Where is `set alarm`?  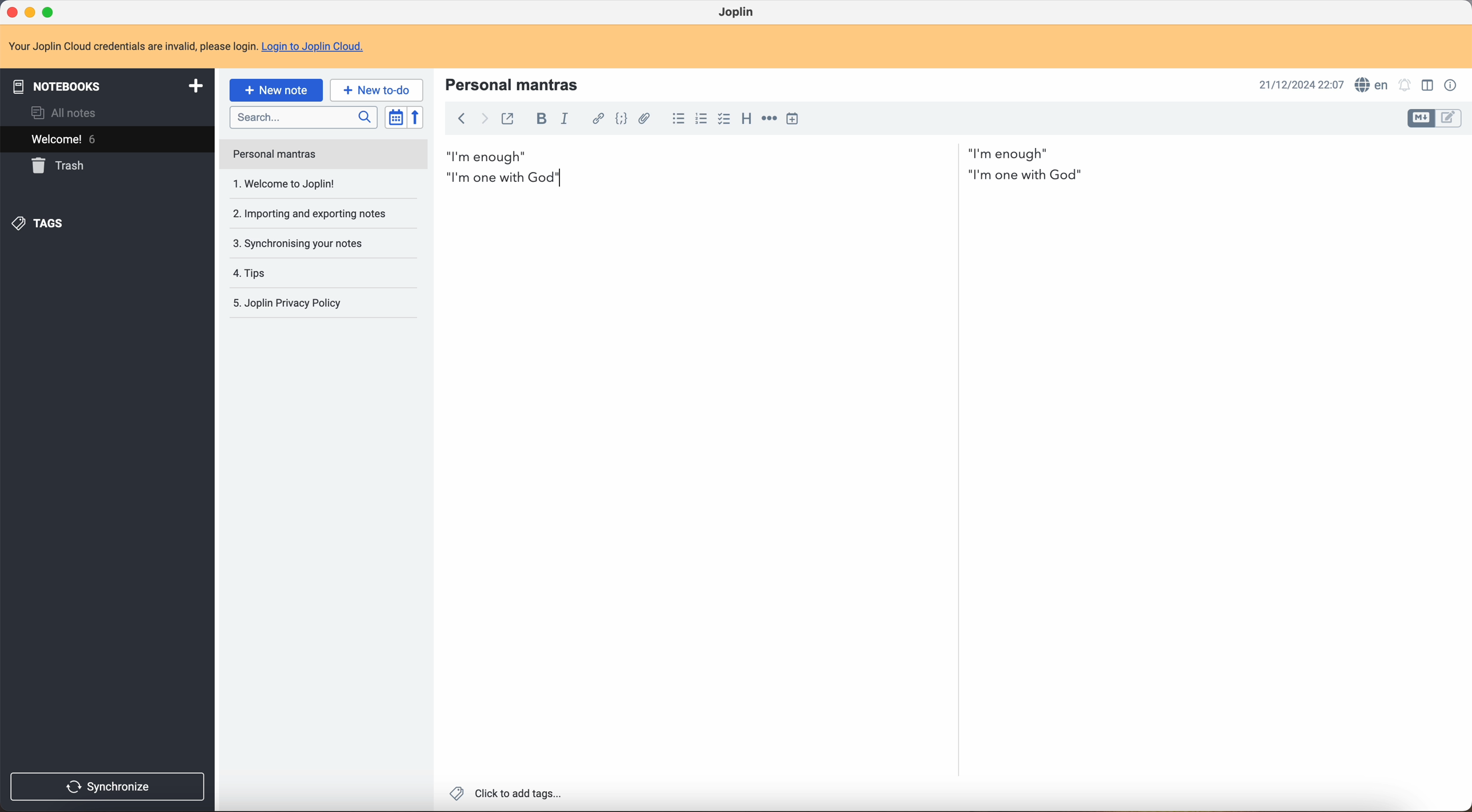 set alarm is located at coordinates (1406, 85).